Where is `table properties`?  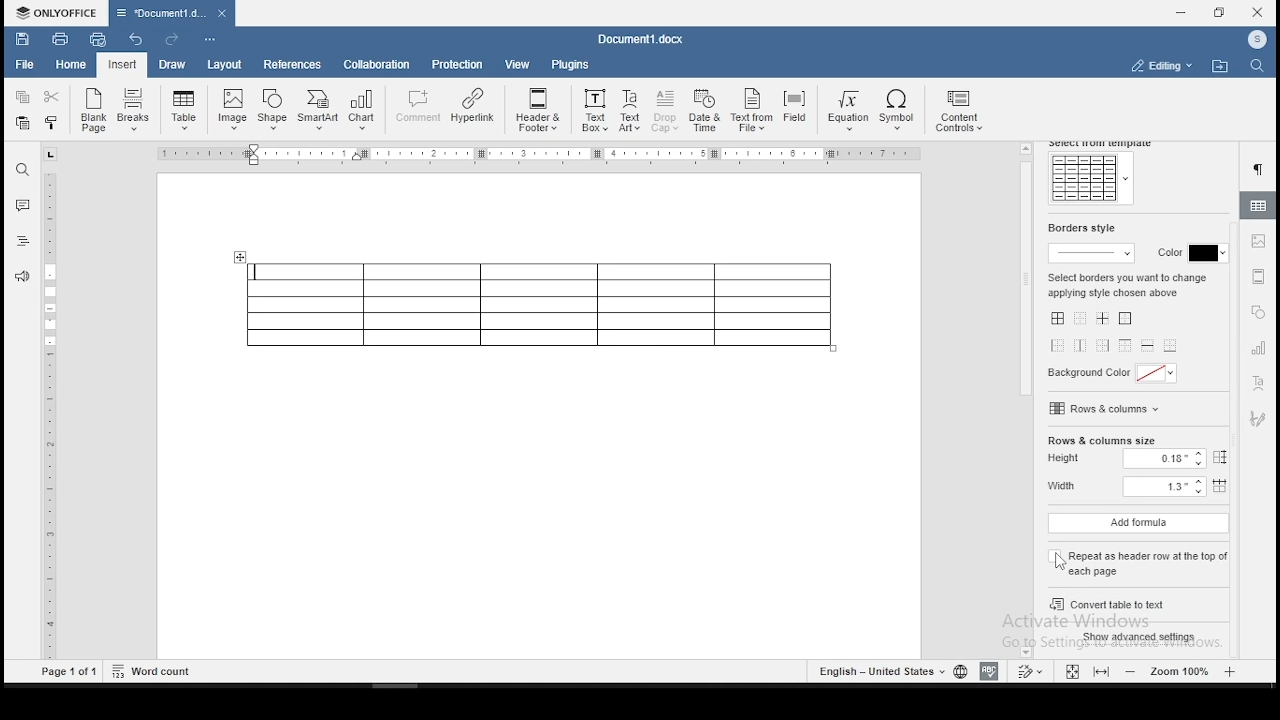 table properties is located at coordinates (1259, 205).